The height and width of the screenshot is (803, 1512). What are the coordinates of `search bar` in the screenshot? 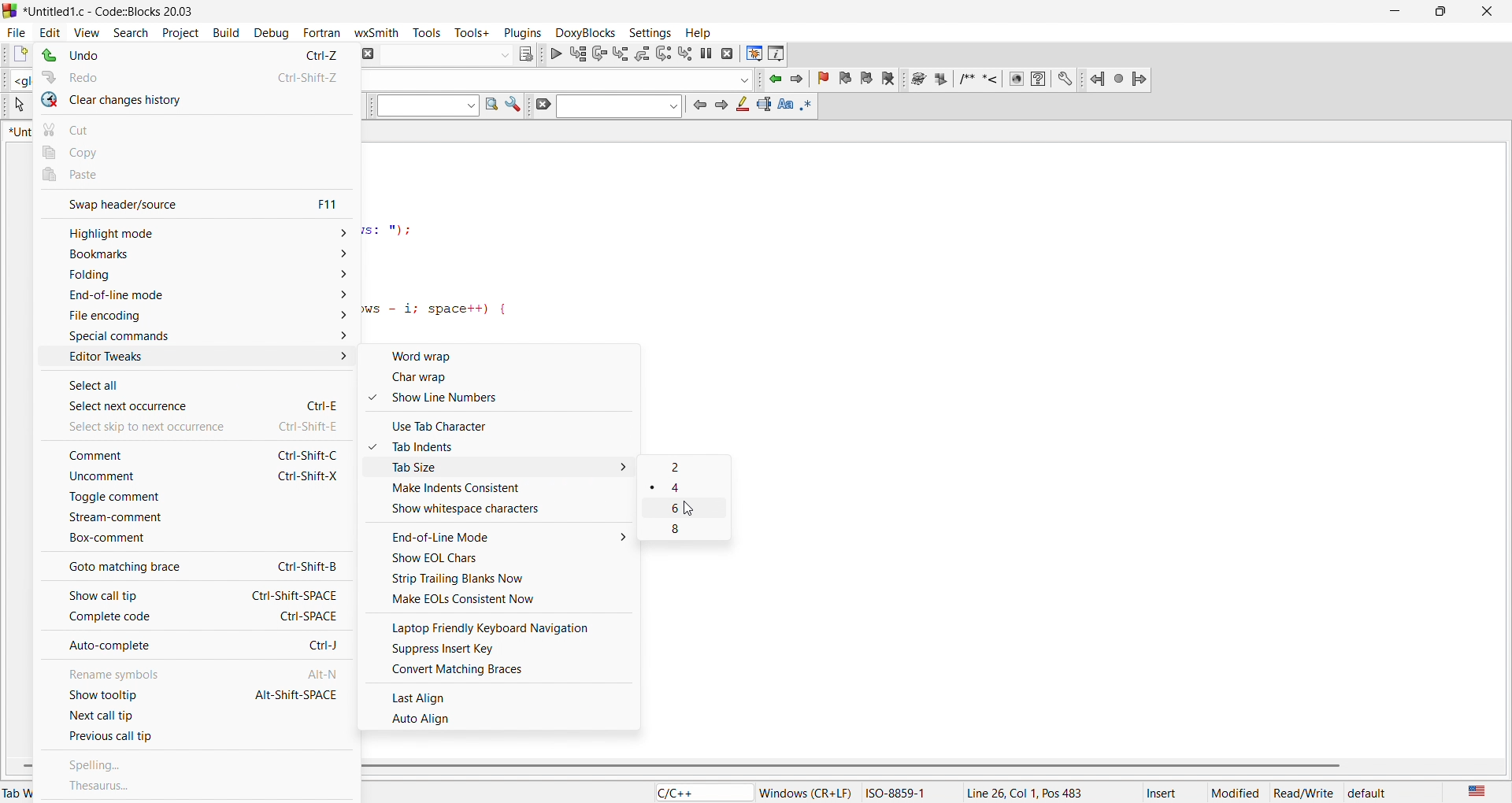 It's located at (618, 108).